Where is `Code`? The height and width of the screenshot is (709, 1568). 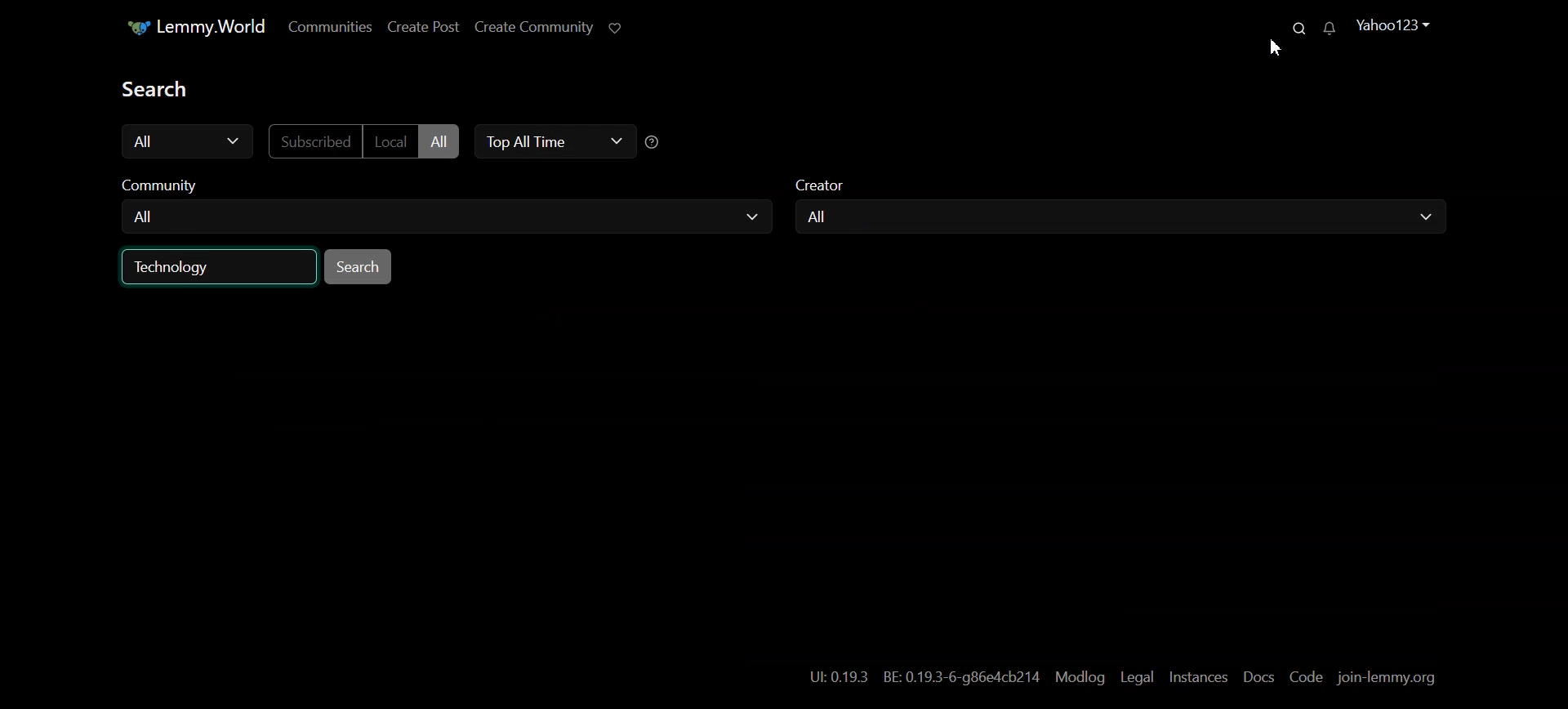 Code is located at coordinates (1304, 676).